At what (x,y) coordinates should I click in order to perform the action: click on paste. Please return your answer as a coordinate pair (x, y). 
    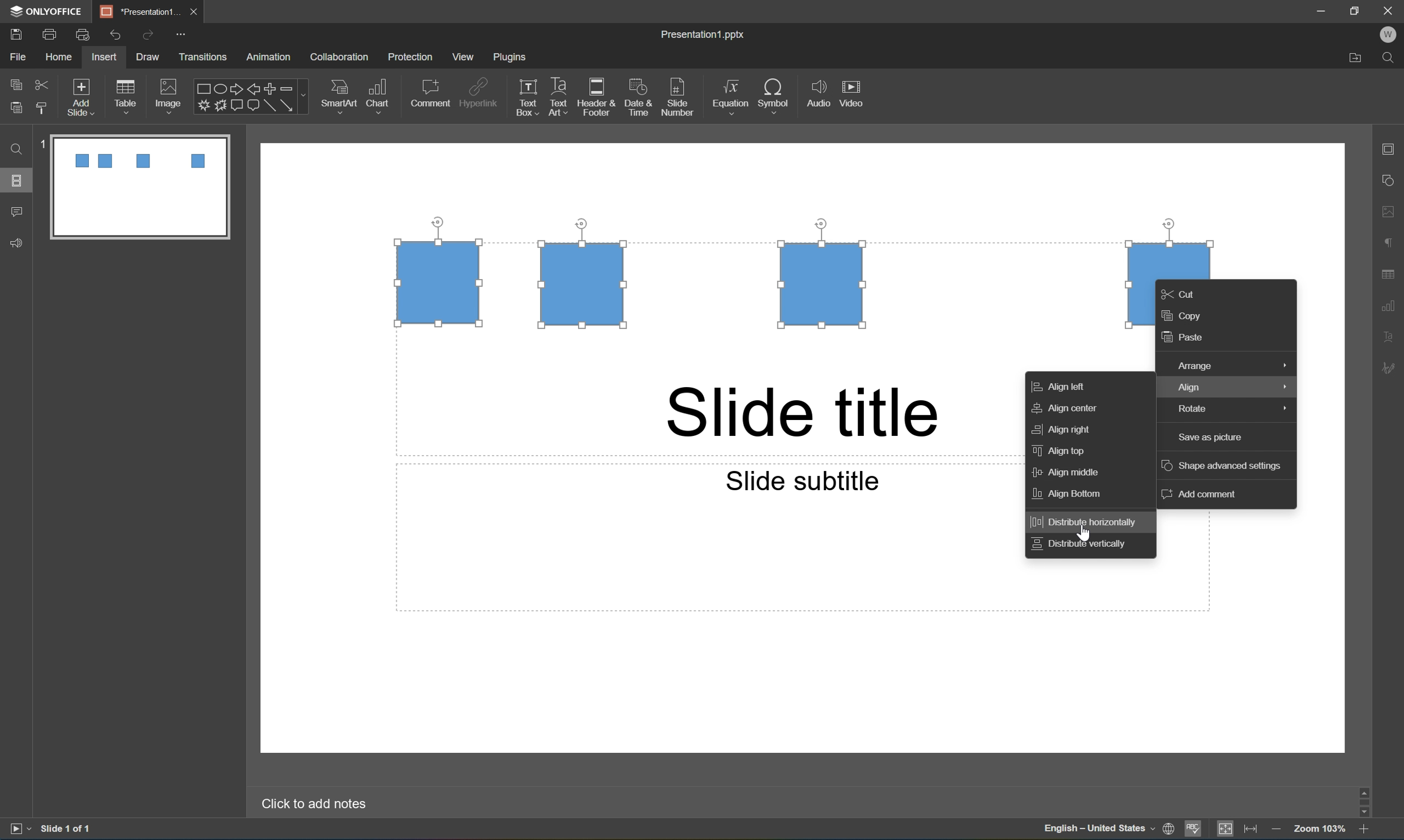
    Looking at the image, I should click on (1187, 339).